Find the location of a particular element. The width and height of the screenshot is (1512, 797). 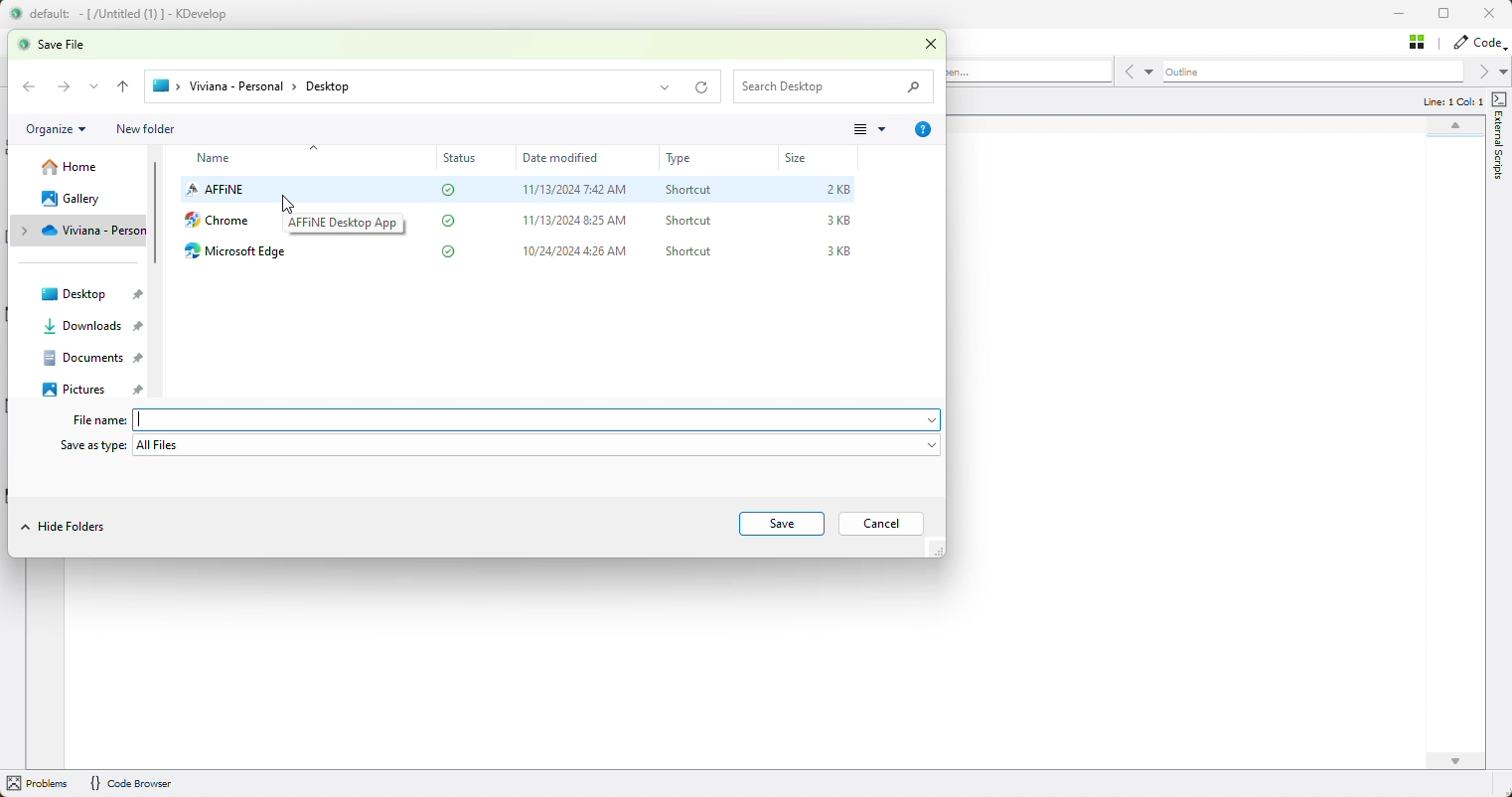

new folder is located at coordinates (148, 128).